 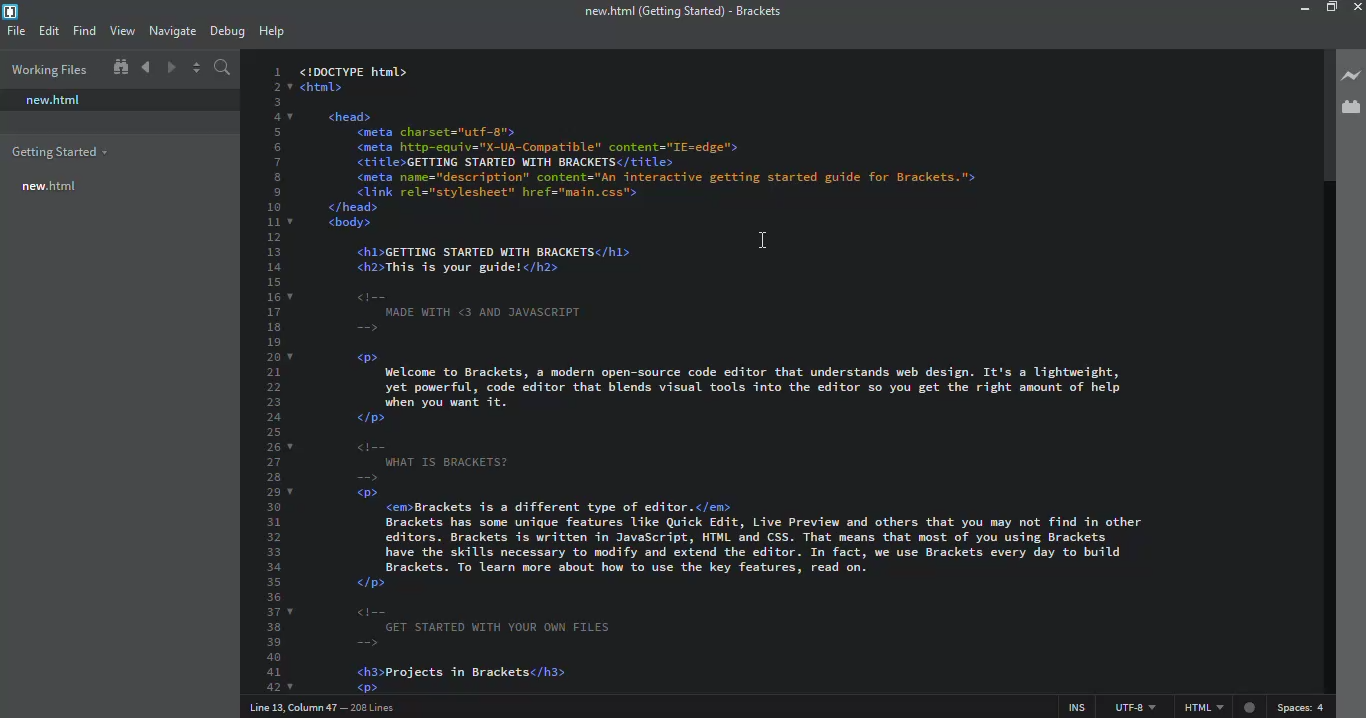 I want to click on line, so click(x=326, y=707).